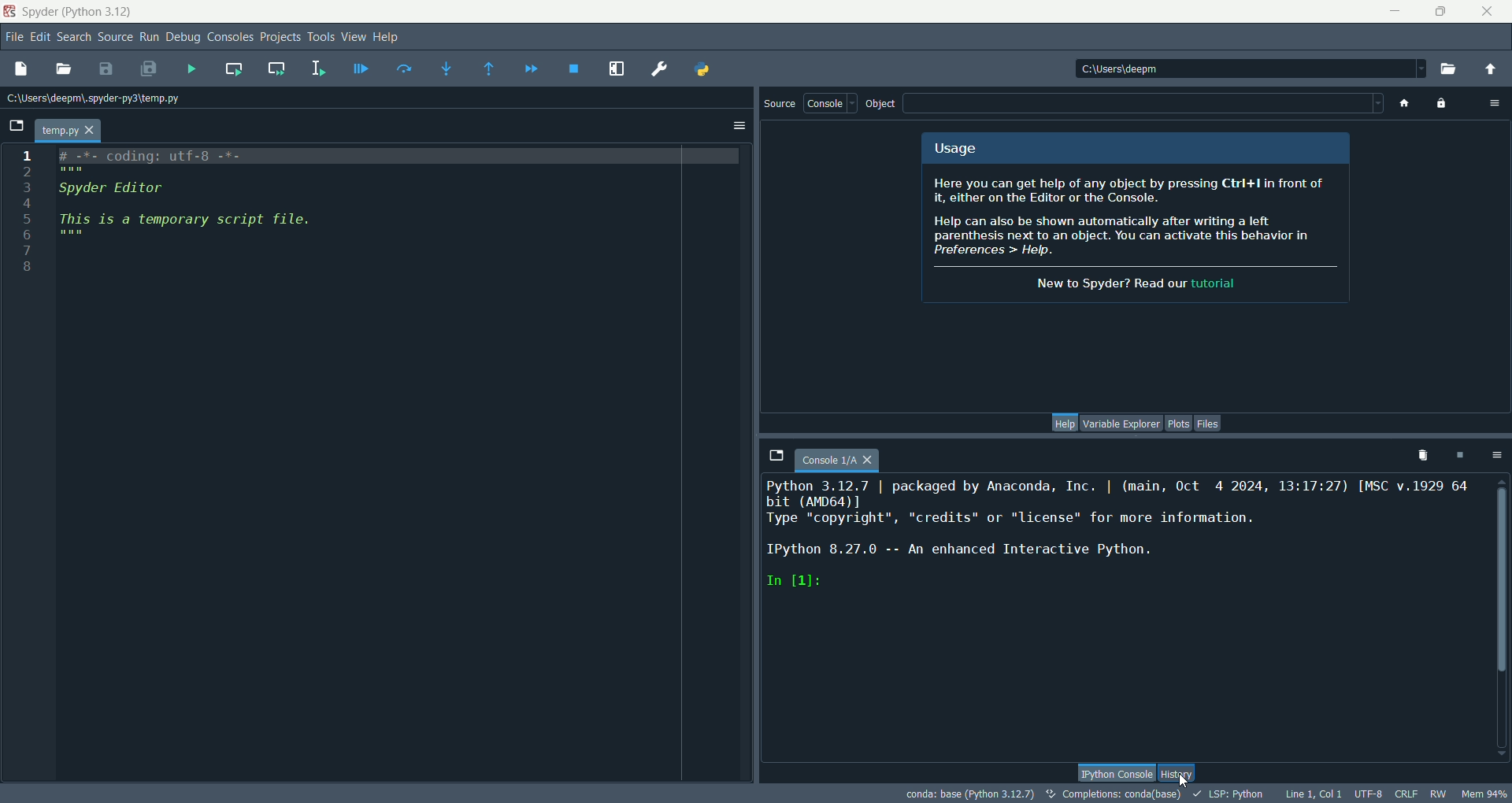 This screenshot has height=803, width=1512. I want to click on history, so click(1180, 772).